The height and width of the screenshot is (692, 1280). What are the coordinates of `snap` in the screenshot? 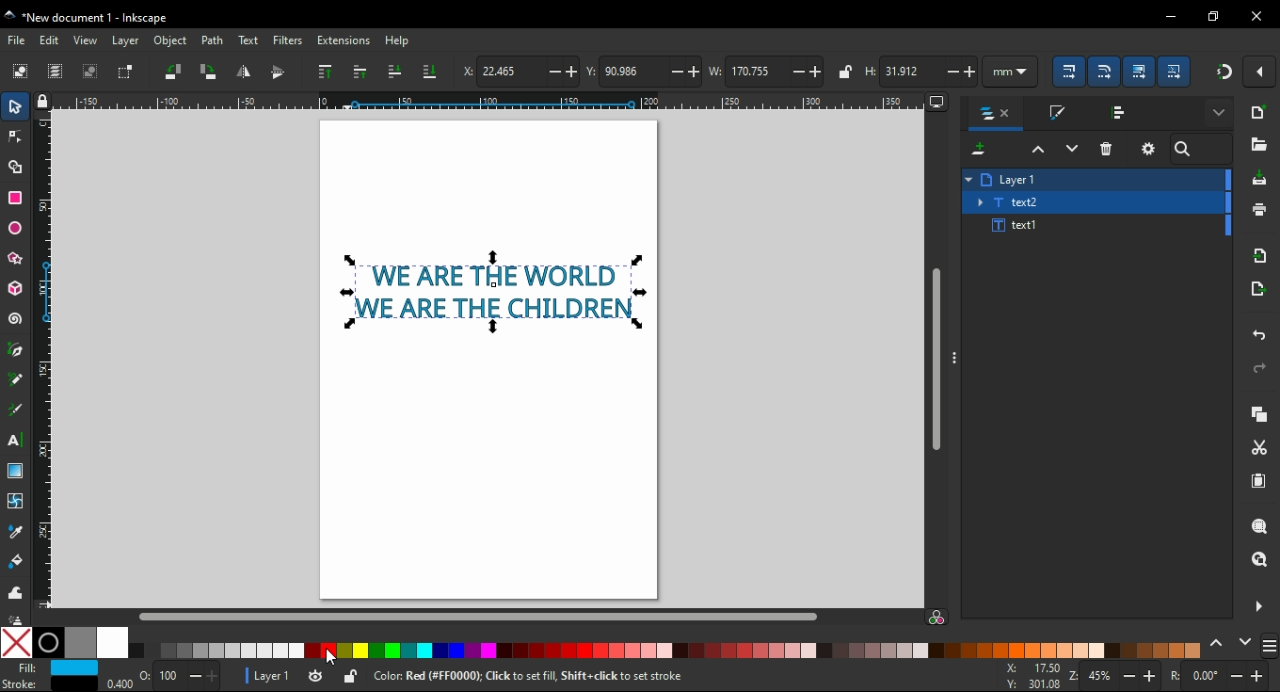 It's located at (1221, 73).